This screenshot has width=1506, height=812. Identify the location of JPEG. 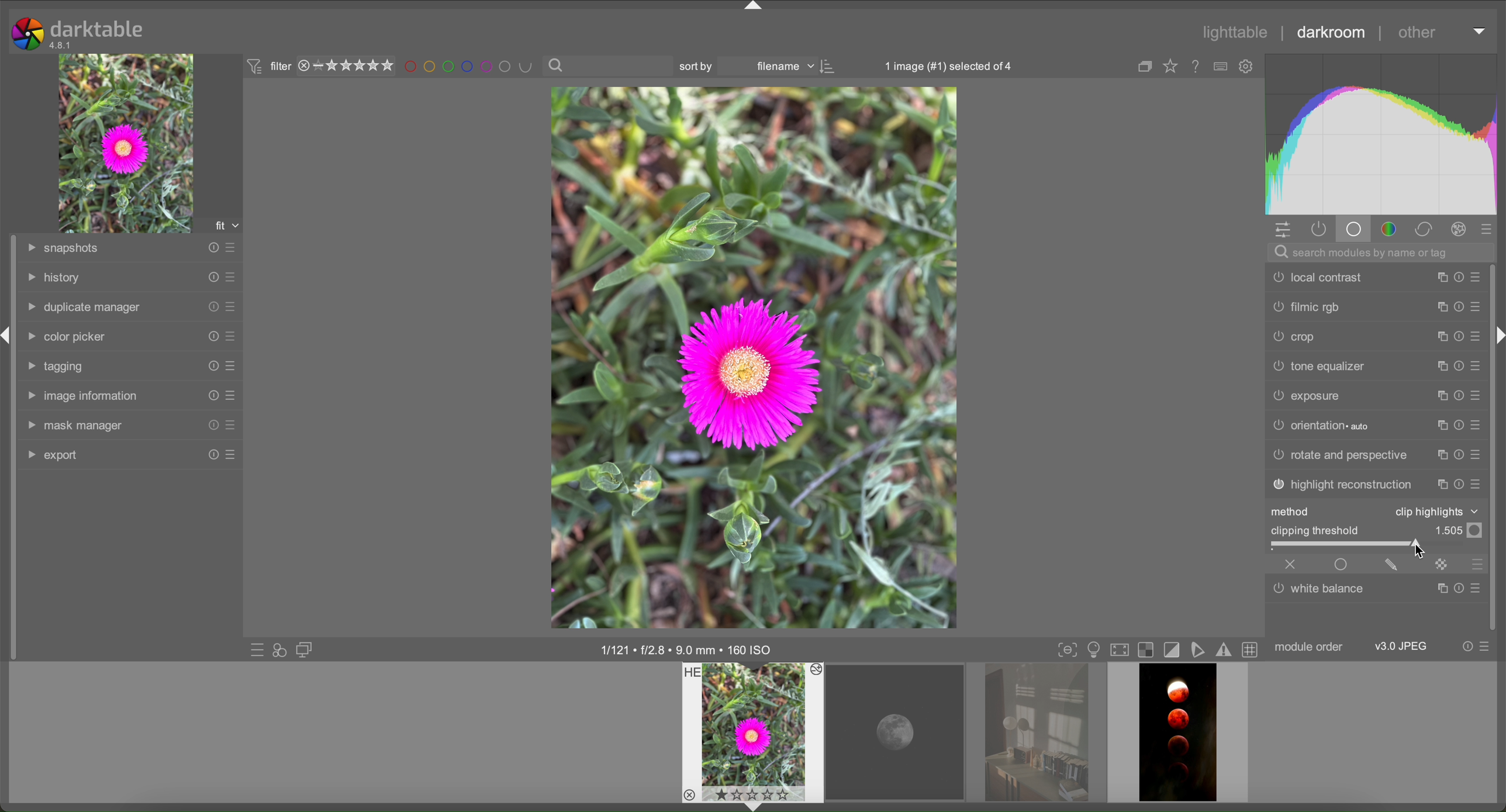
(1403, 646).